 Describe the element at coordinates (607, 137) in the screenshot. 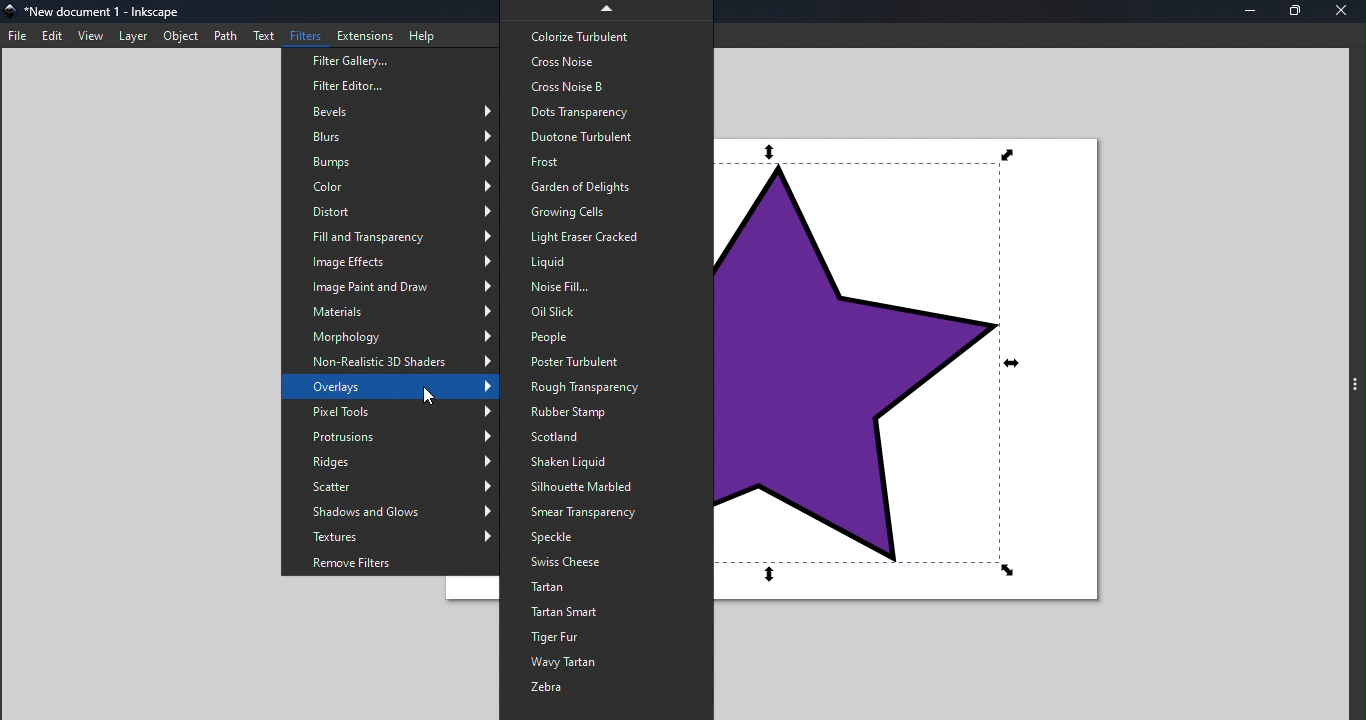

I see `Duotone turbulent` at that location.